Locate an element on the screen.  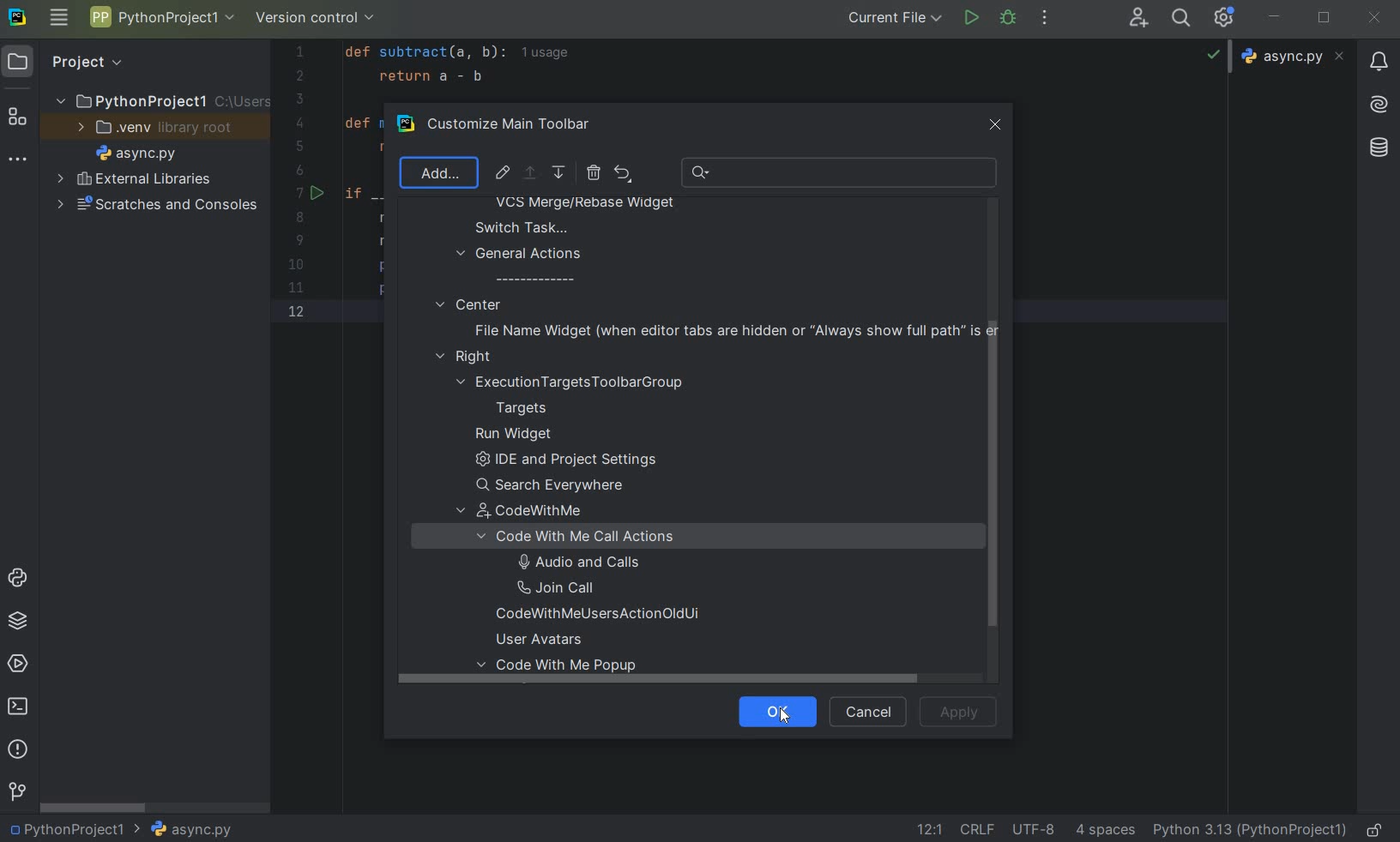
RESTORE DOWN is located at coordinates (1325, 15).